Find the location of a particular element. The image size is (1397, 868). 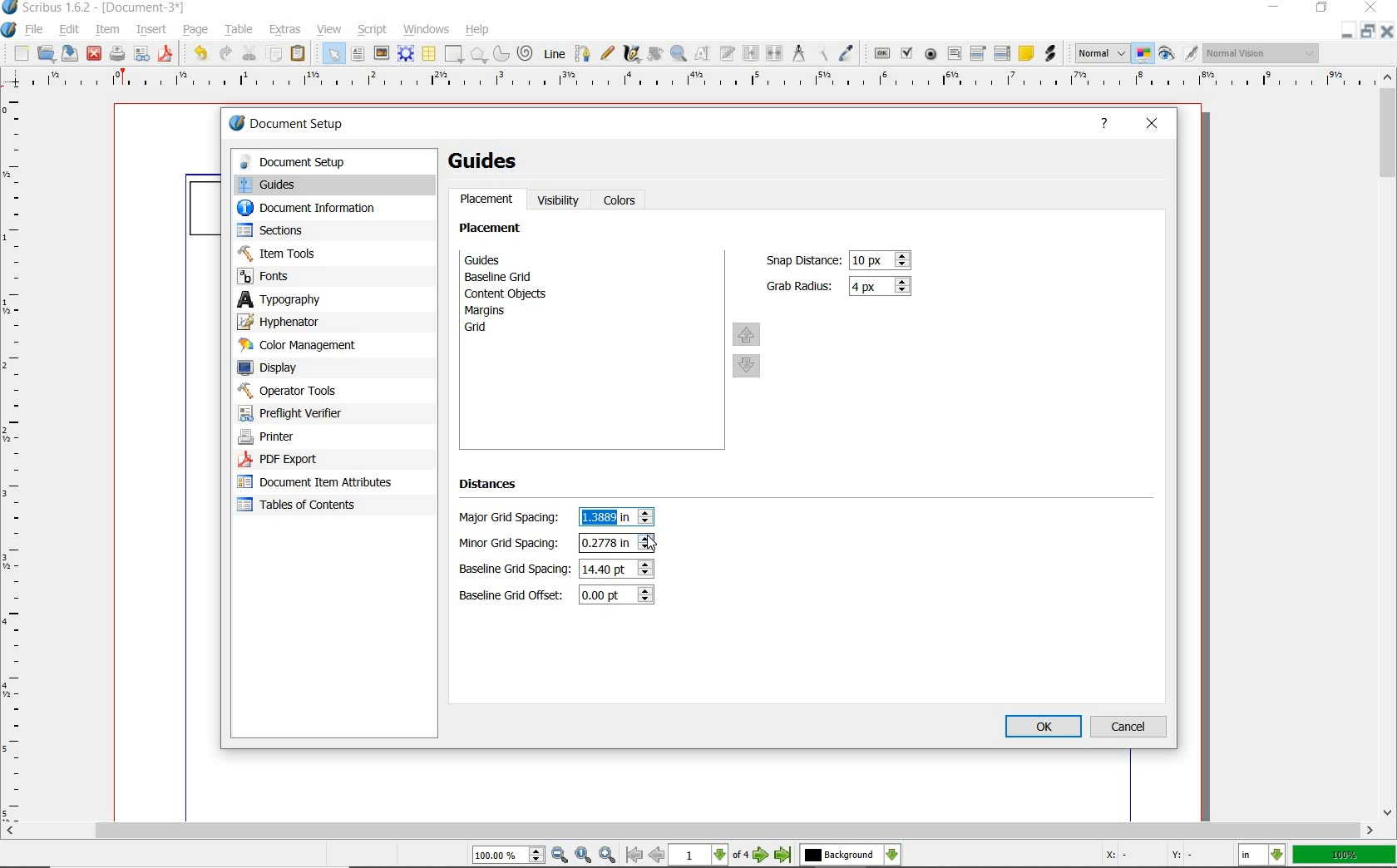

ok is located at coordinates (1044, 727).